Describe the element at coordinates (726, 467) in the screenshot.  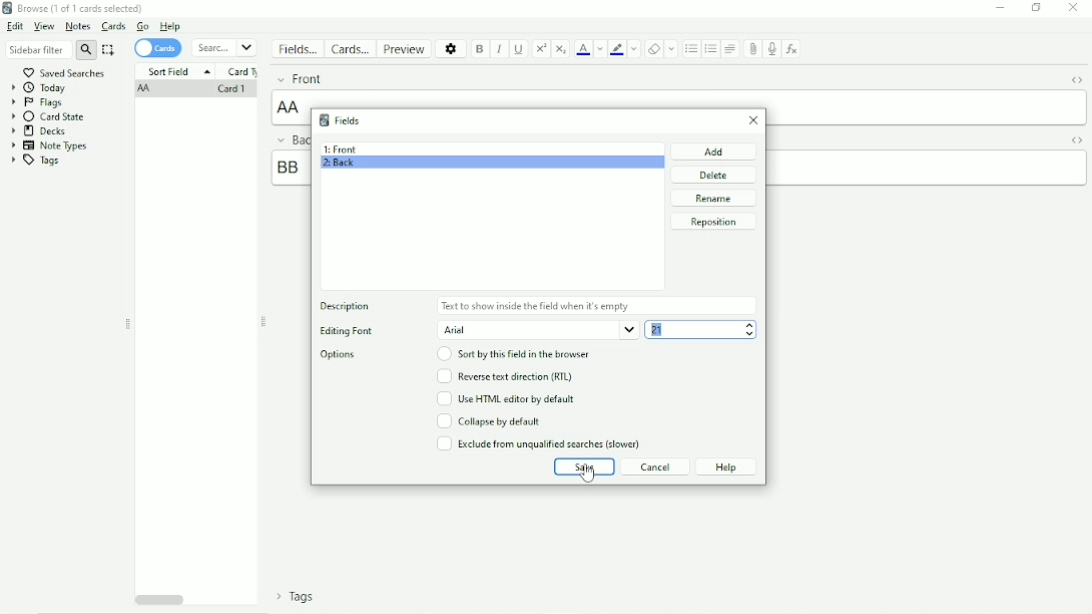
I see `Help` at that location.